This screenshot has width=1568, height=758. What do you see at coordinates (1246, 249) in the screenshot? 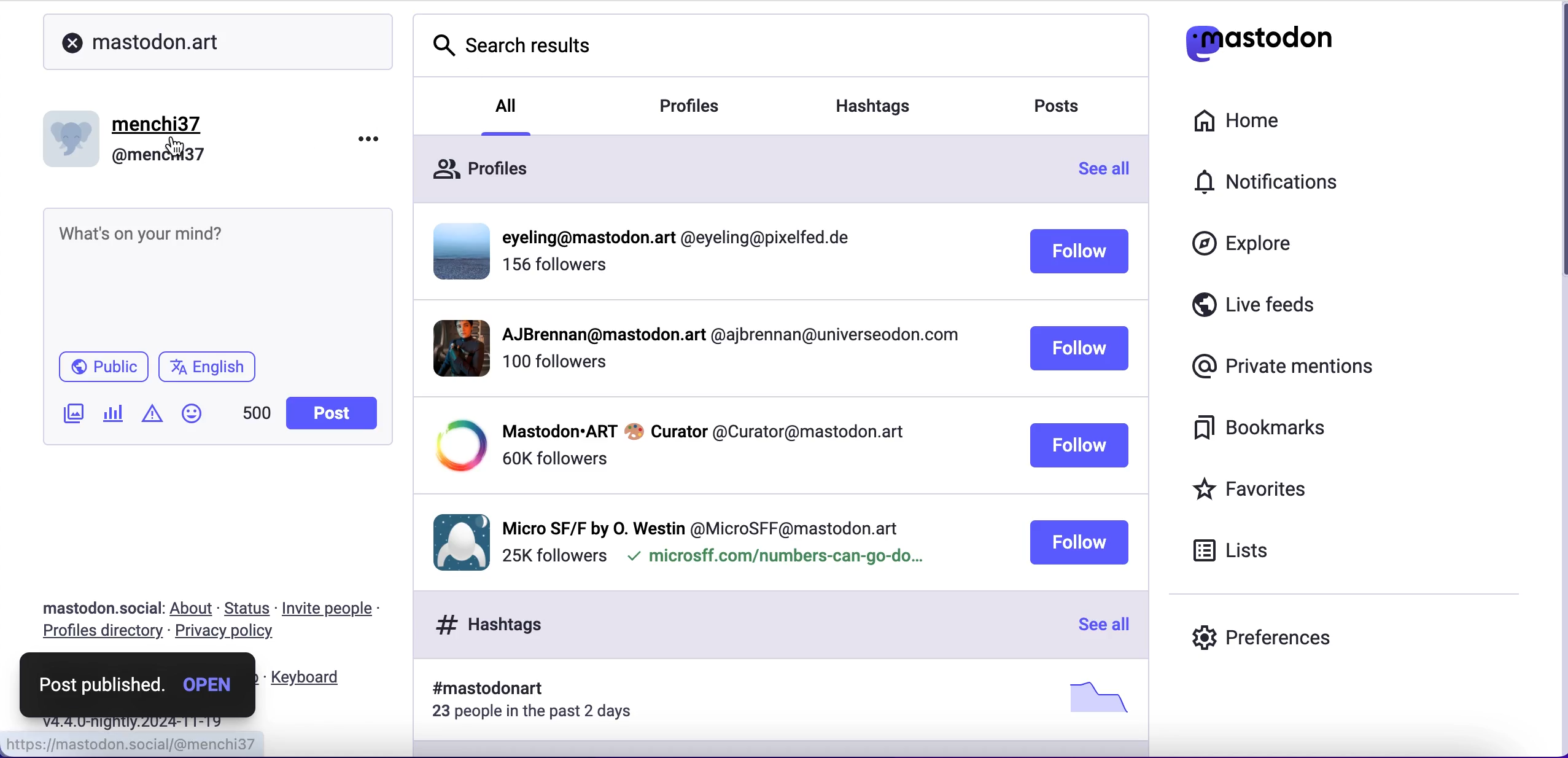
I see `explore` at bounding box center [1246, 249].